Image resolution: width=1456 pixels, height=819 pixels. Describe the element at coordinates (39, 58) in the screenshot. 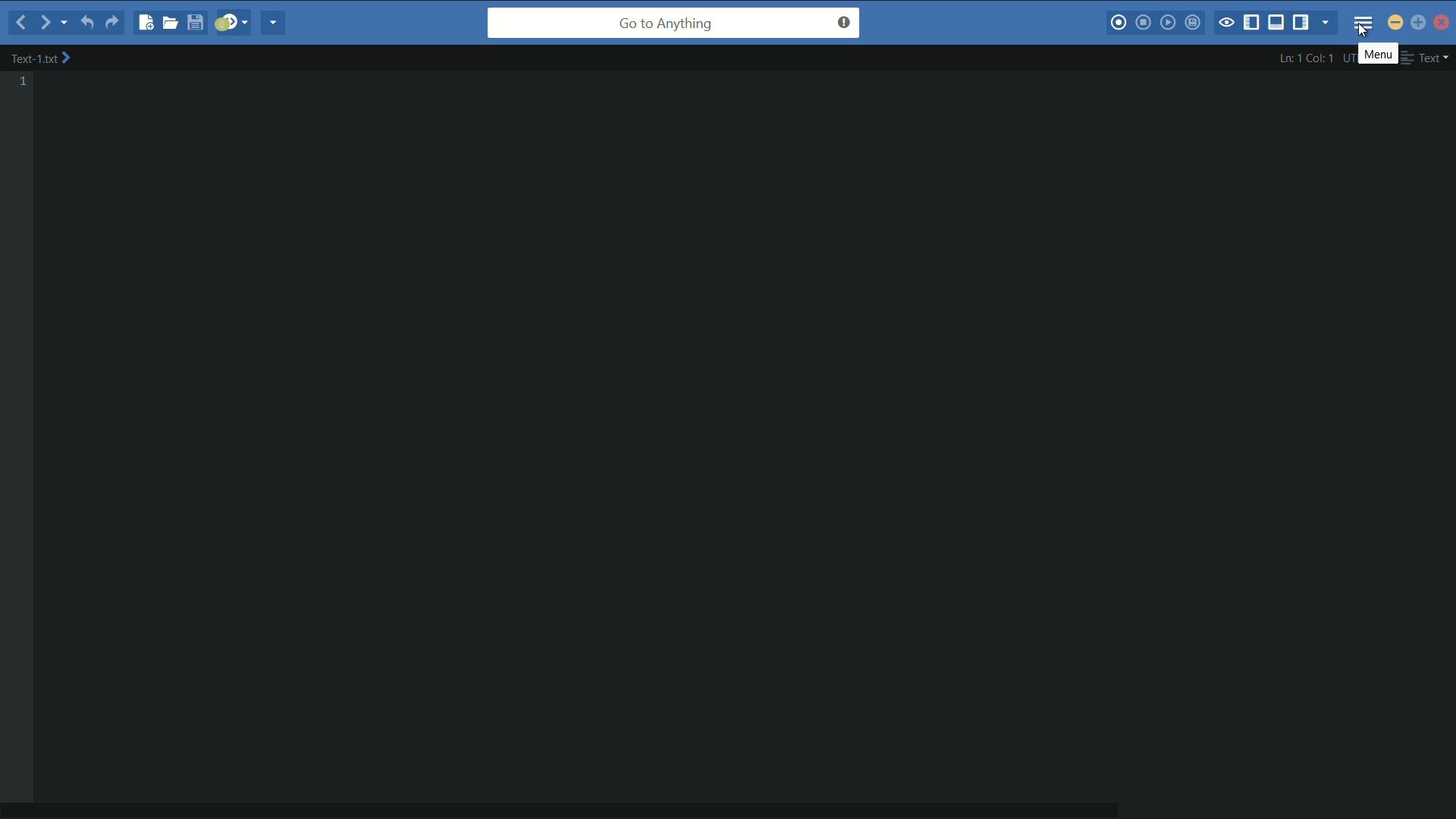

I see `file name` at that location.